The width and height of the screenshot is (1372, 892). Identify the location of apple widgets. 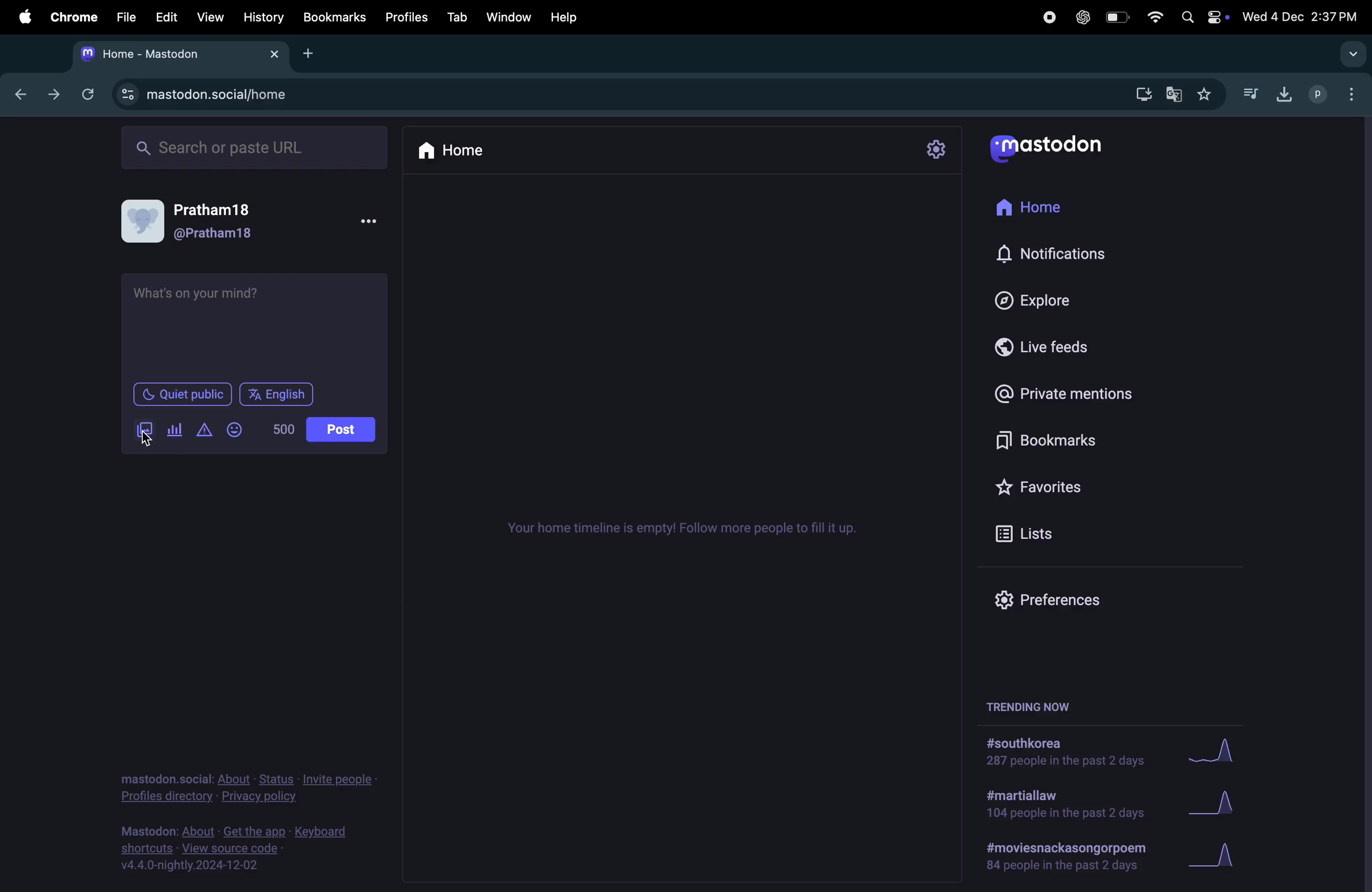
(1203, 16).